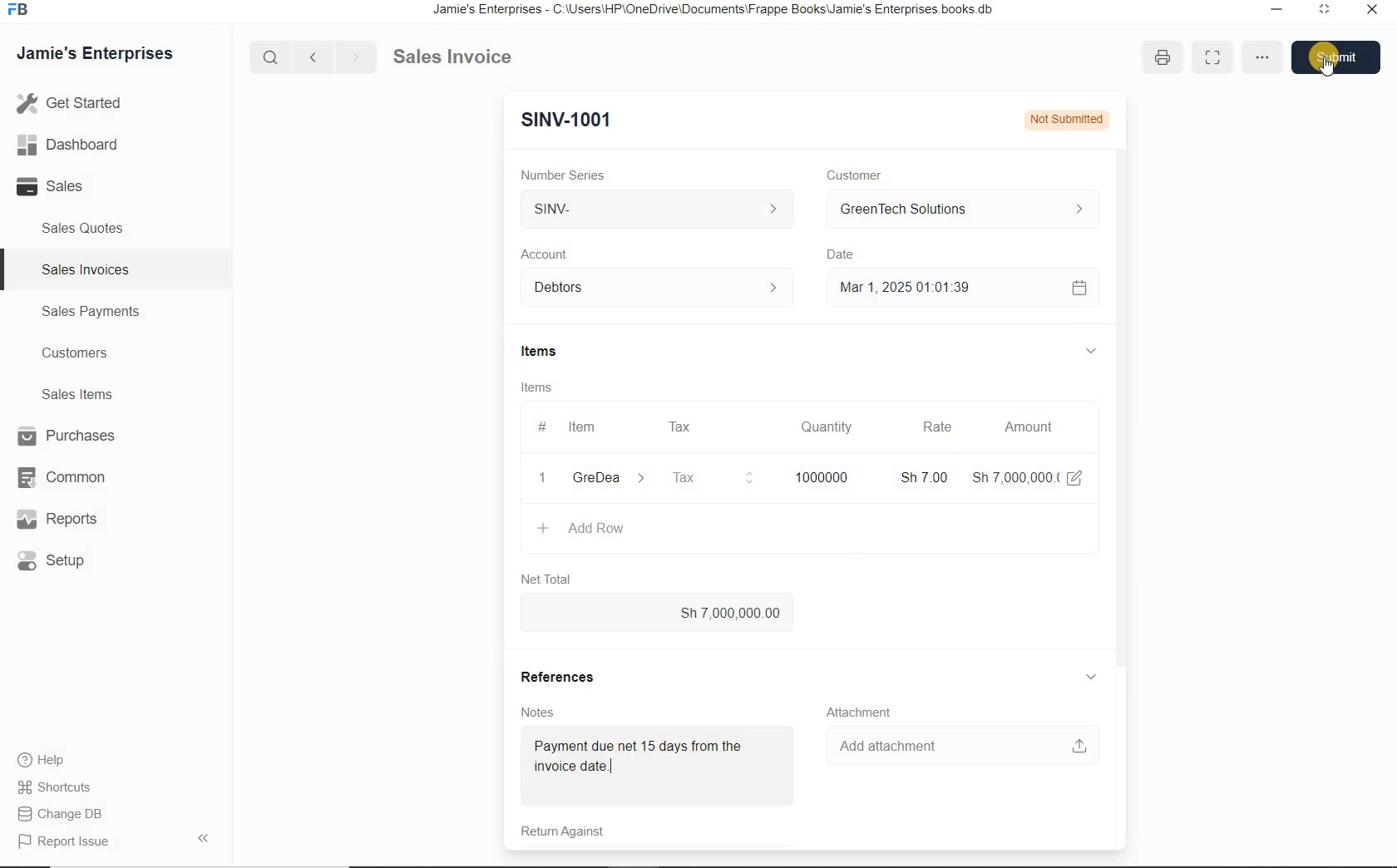 This screenshot has width=1397, height=868. Describe the element at coordinates (1373, 13) in the screenshot. I see `close` at that location.